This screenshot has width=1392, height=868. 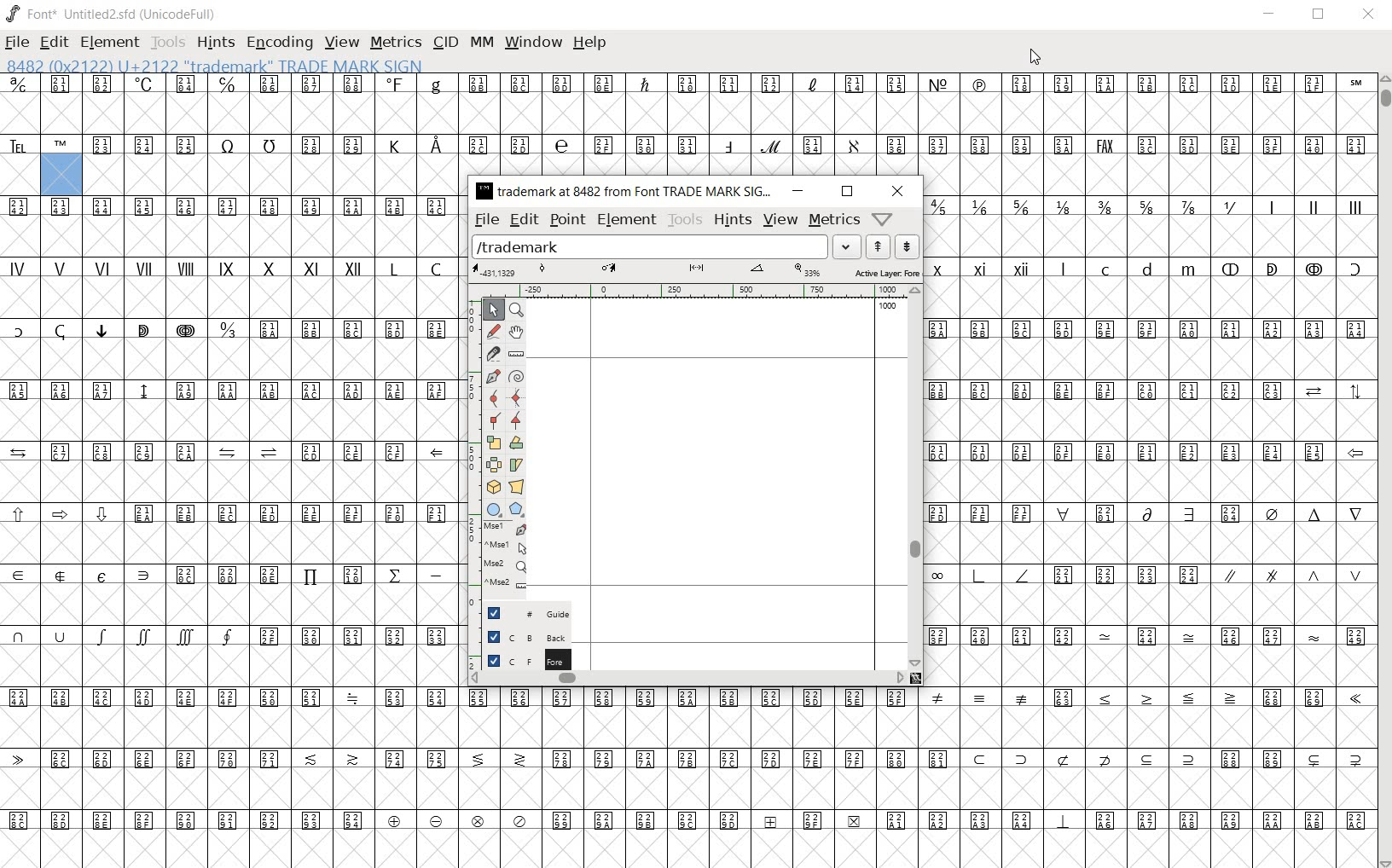 I want to click on ruler, so click(x=695, y=290).